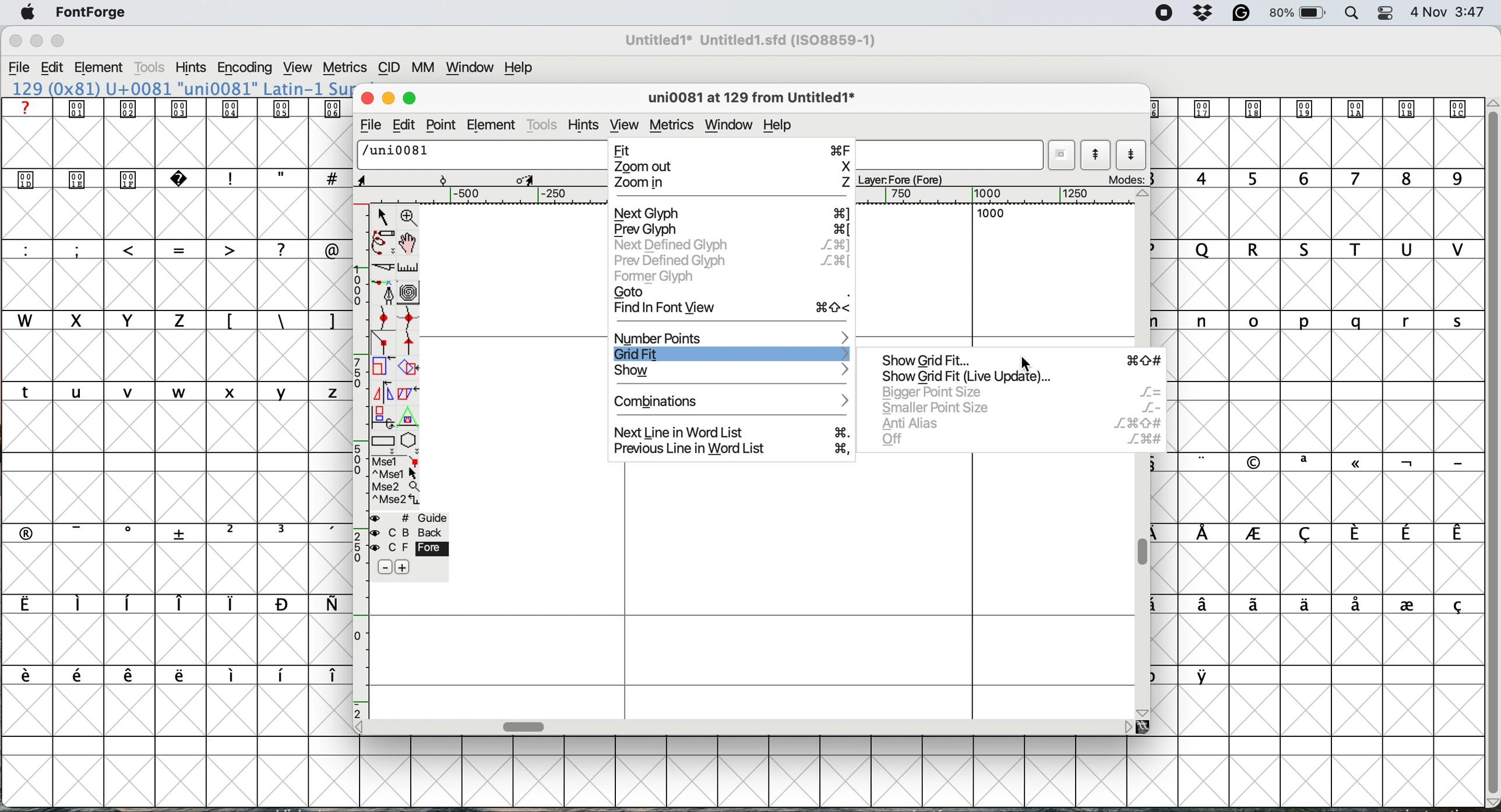  I want to click on next line in word list, so click(732, 433).